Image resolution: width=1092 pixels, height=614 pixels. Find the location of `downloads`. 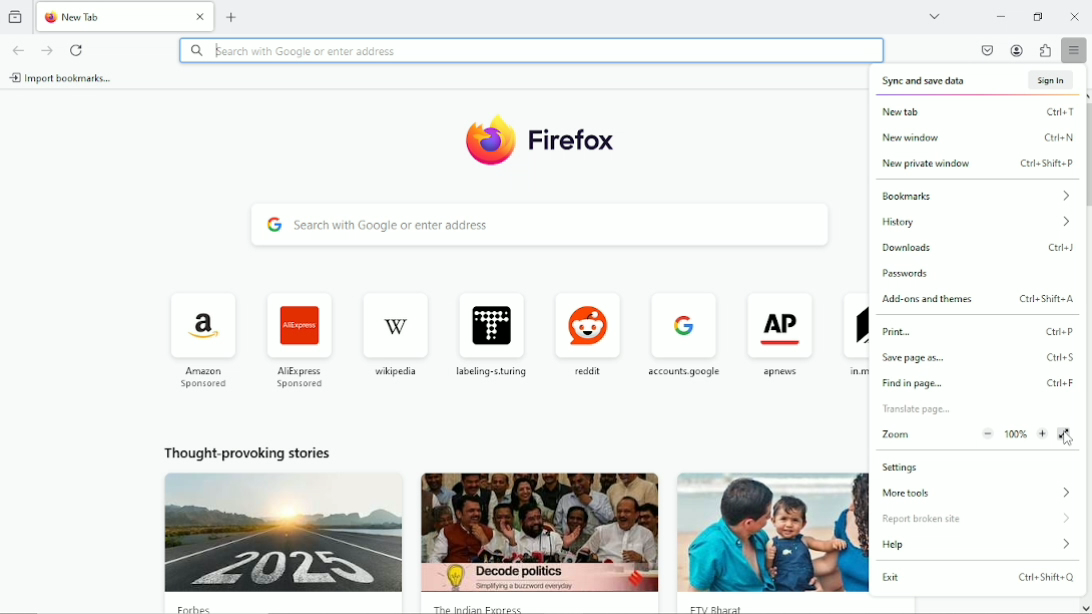

downloads is located at coordinates (982, 248).